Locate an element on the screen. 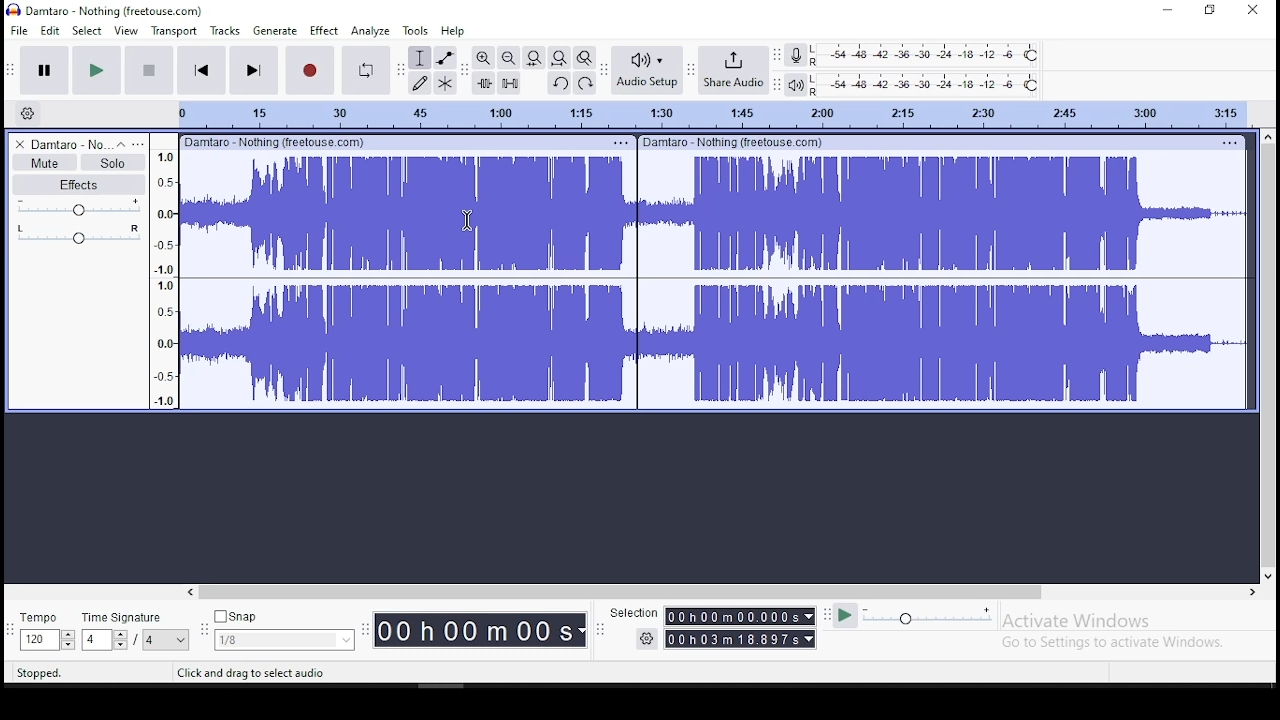 This screenshot has width=1280, height=720. skip to start is located at coordinates (201, 69).